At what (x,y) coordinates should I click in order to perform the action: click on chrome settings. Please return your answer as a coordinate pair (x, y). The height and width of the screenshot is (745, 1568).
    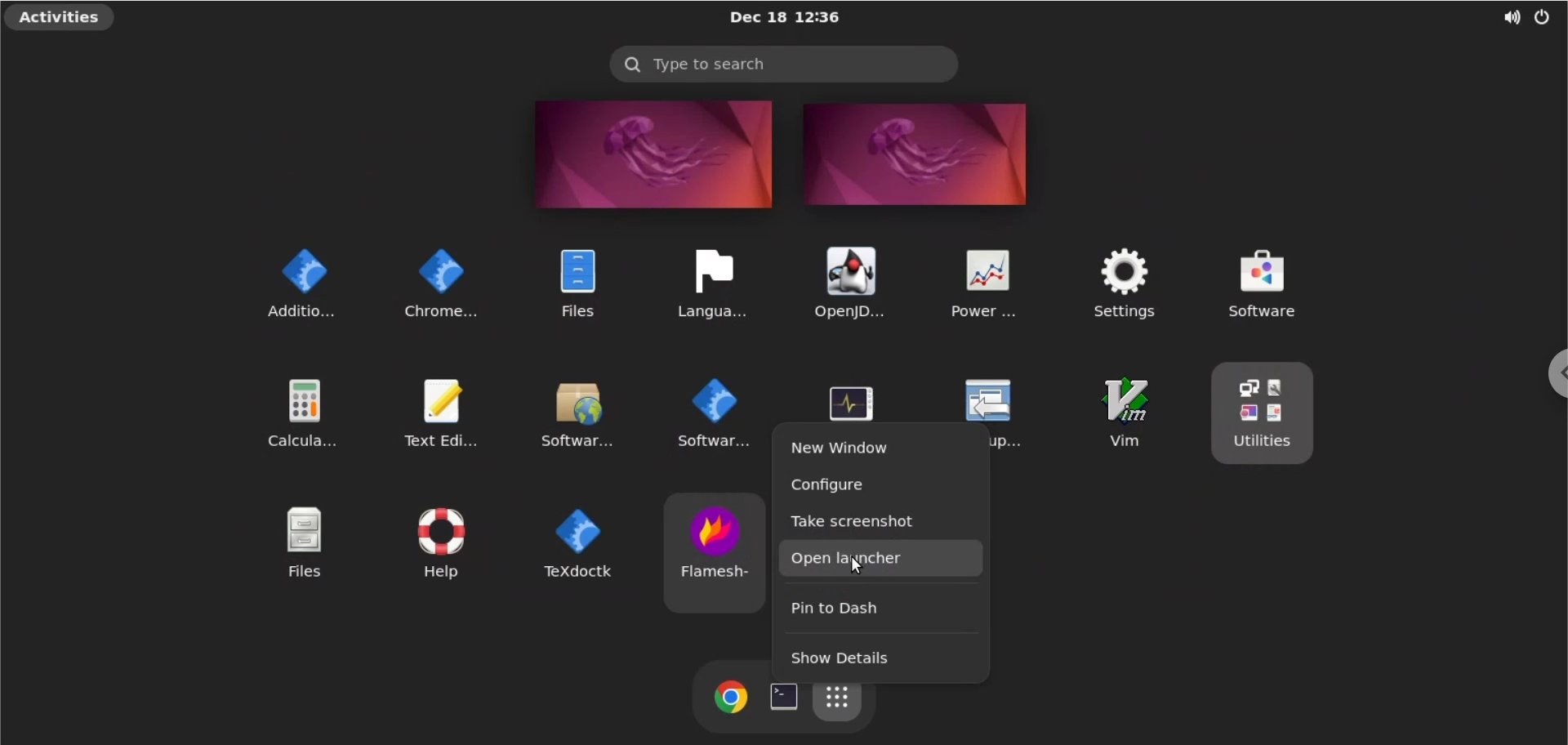
    Looking at the image, I should click on (438, 279).